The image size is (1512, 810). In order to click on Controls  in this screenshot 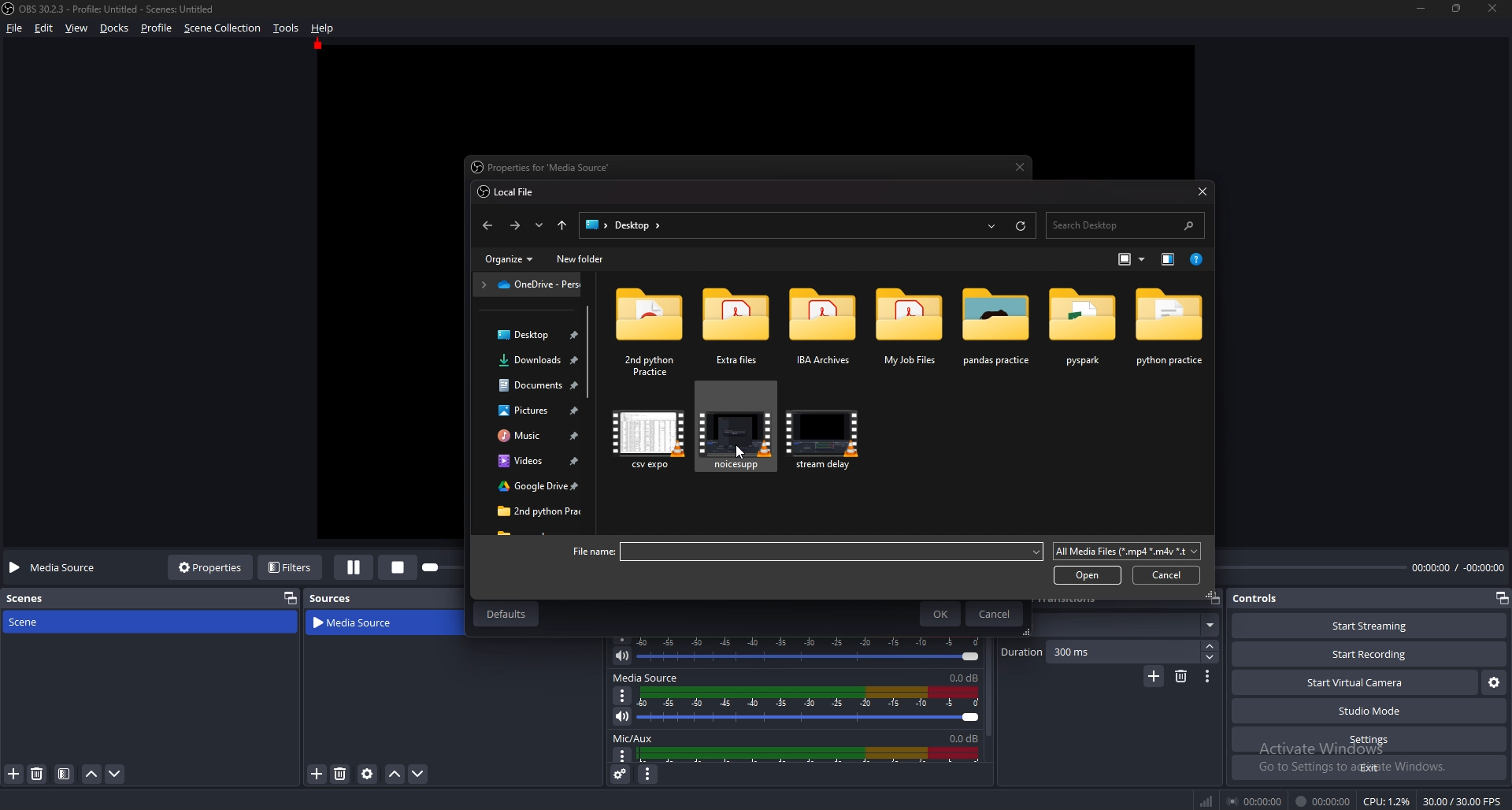, I will do `click(1258, 598)`.